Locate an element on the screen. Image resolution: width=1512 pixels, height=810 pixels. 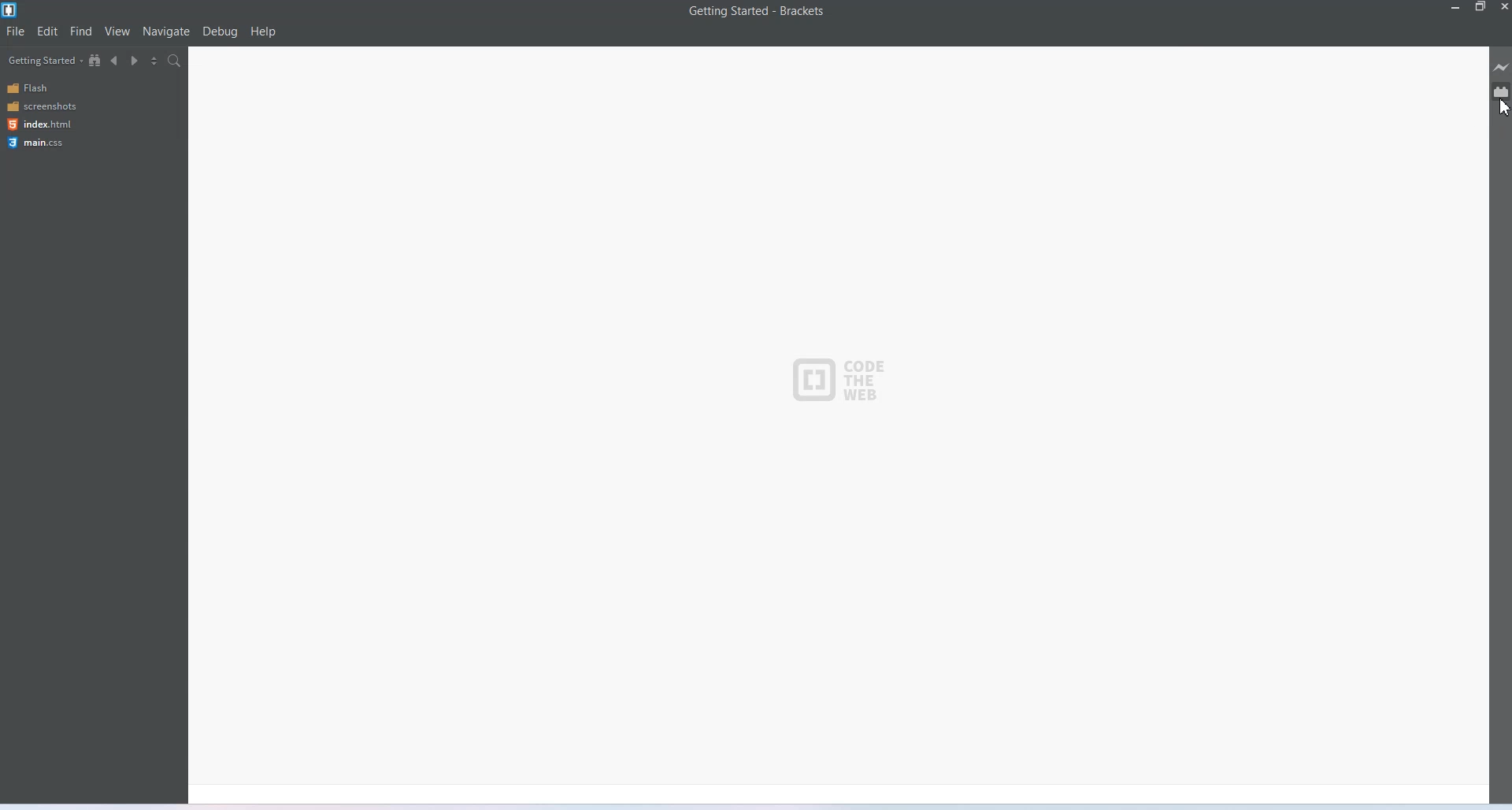
main.css is located at coordinates (38, 143).